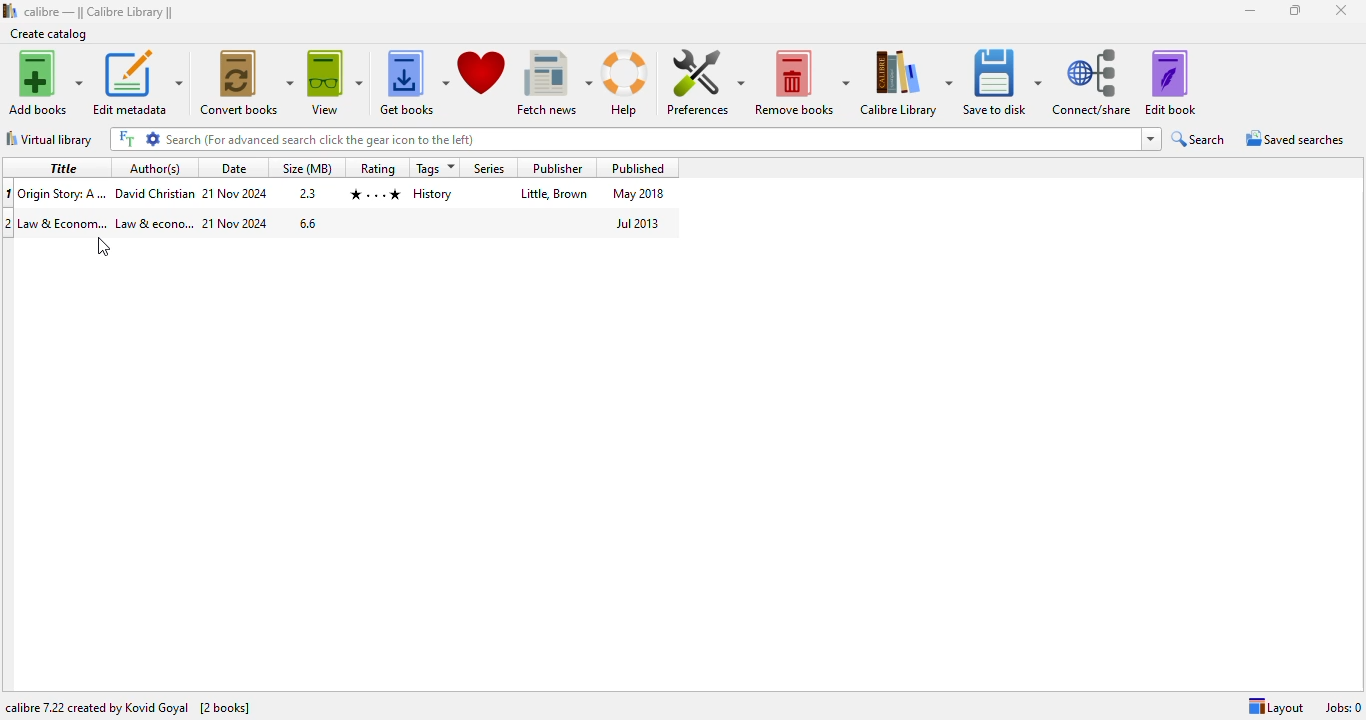  I want to click on settings, so click(153, 139).